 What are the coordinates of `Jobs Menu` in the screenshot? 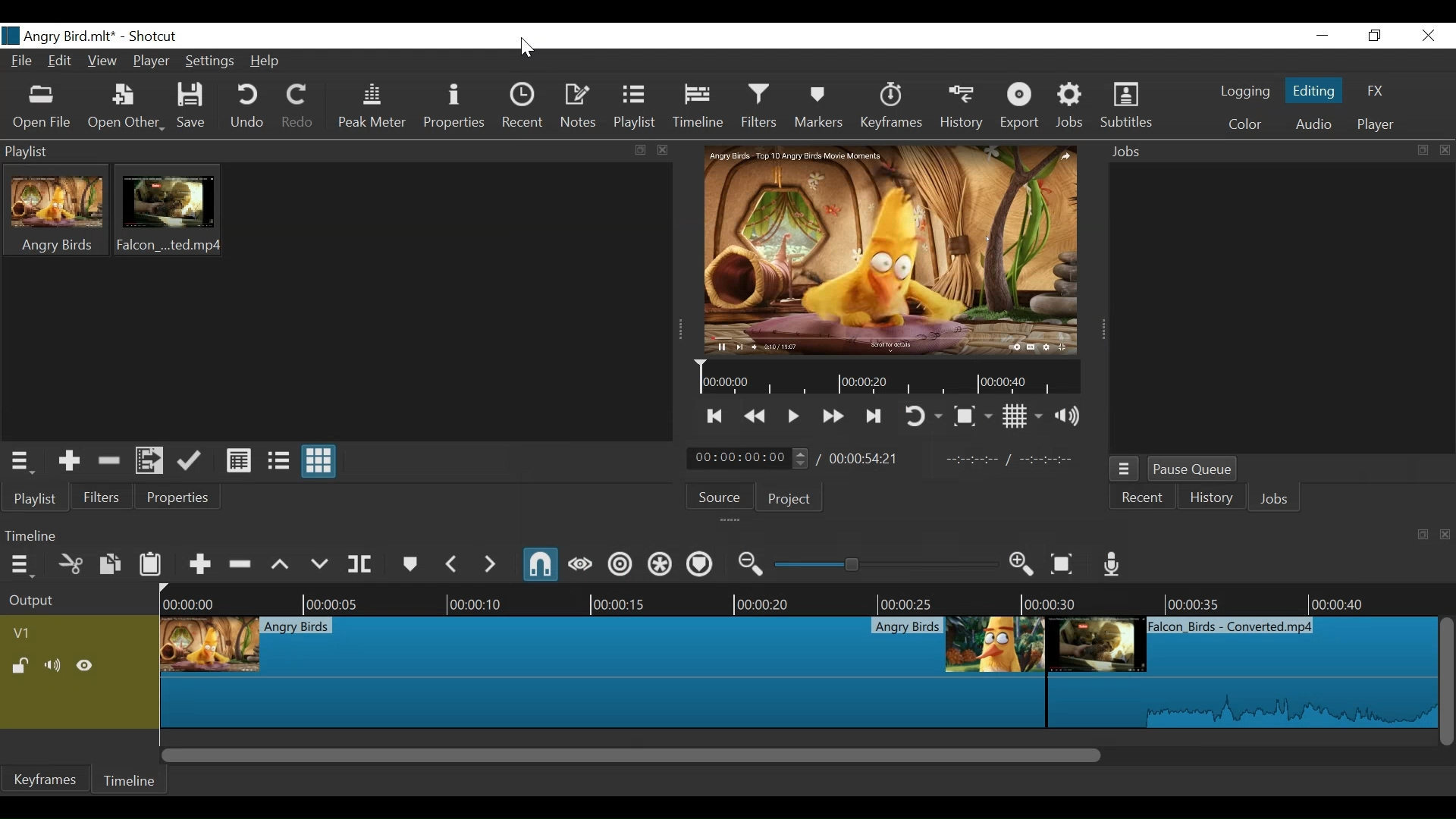 It's located at (1125, 469).